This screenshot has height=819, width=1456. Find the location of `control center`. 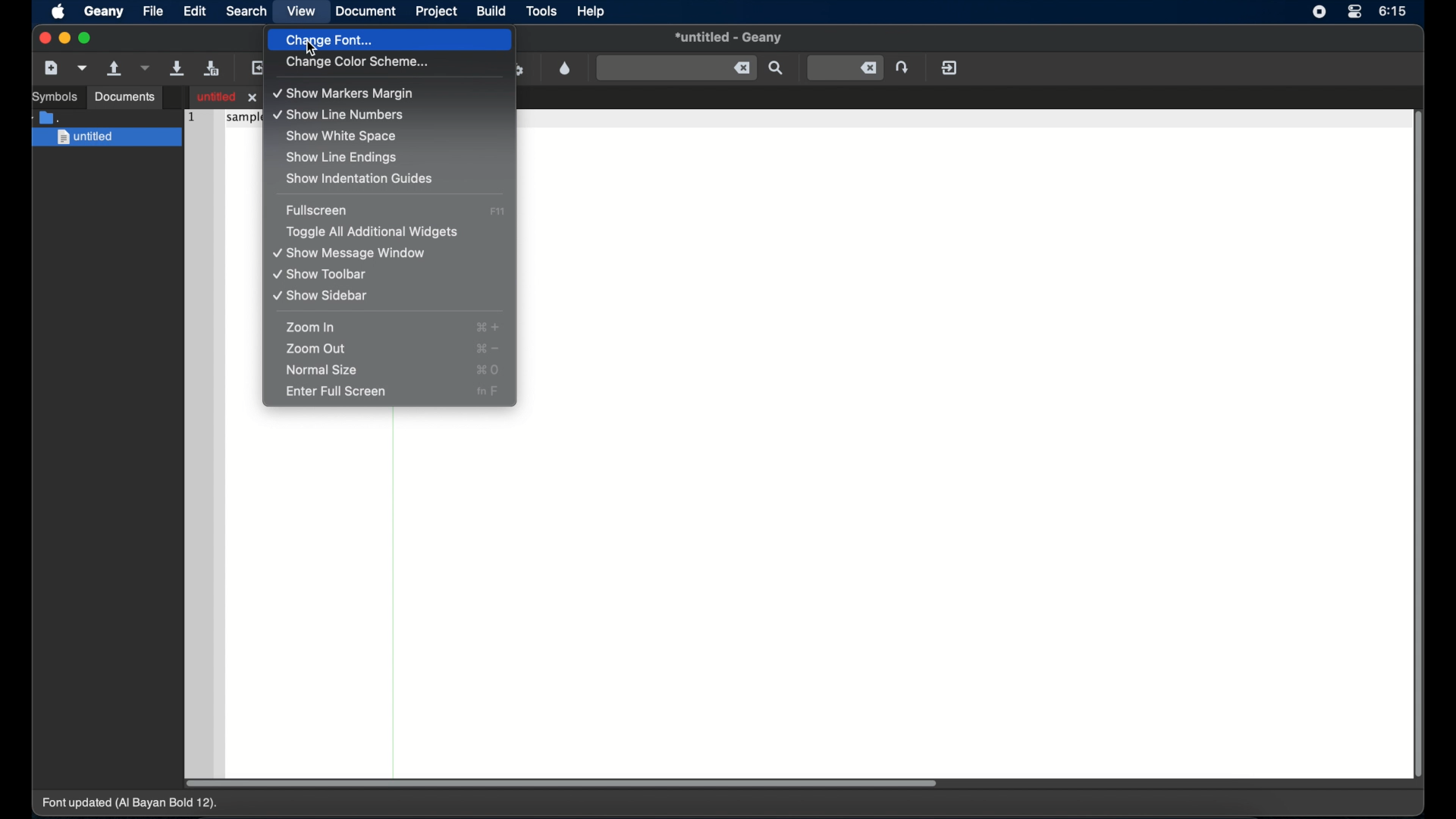

control center is located at coordinates (1354, 12).